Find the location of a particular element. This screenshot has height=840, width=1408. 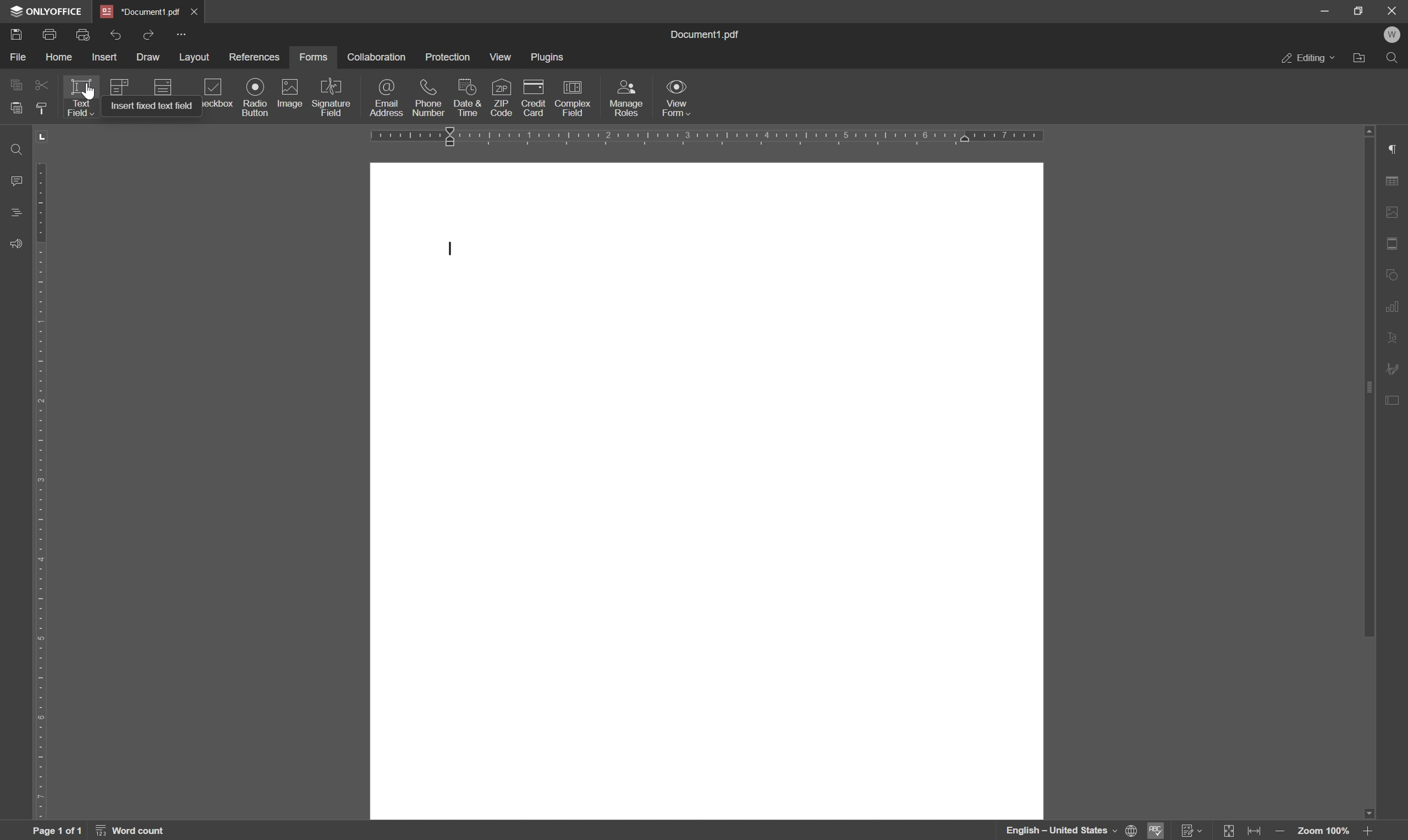

fit to slide is located at coordinates (1230, 831).